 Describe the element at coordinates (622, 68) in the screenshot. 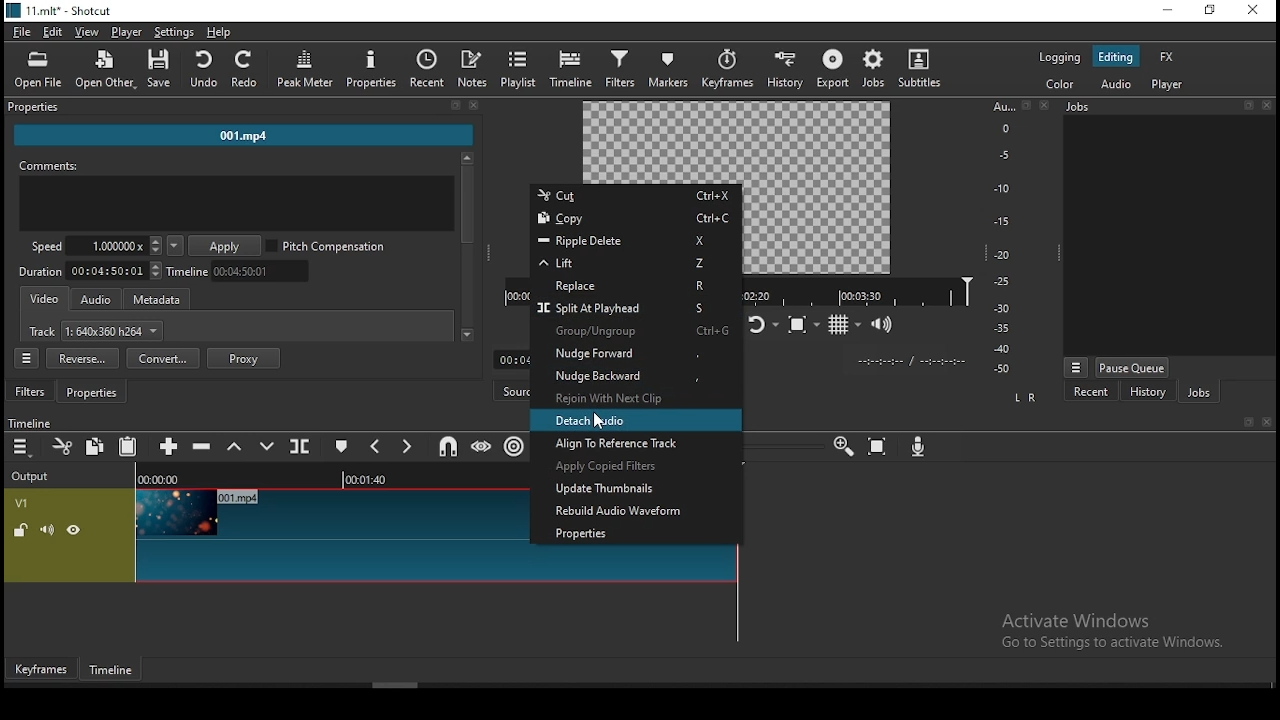

I see `filters` at that location.